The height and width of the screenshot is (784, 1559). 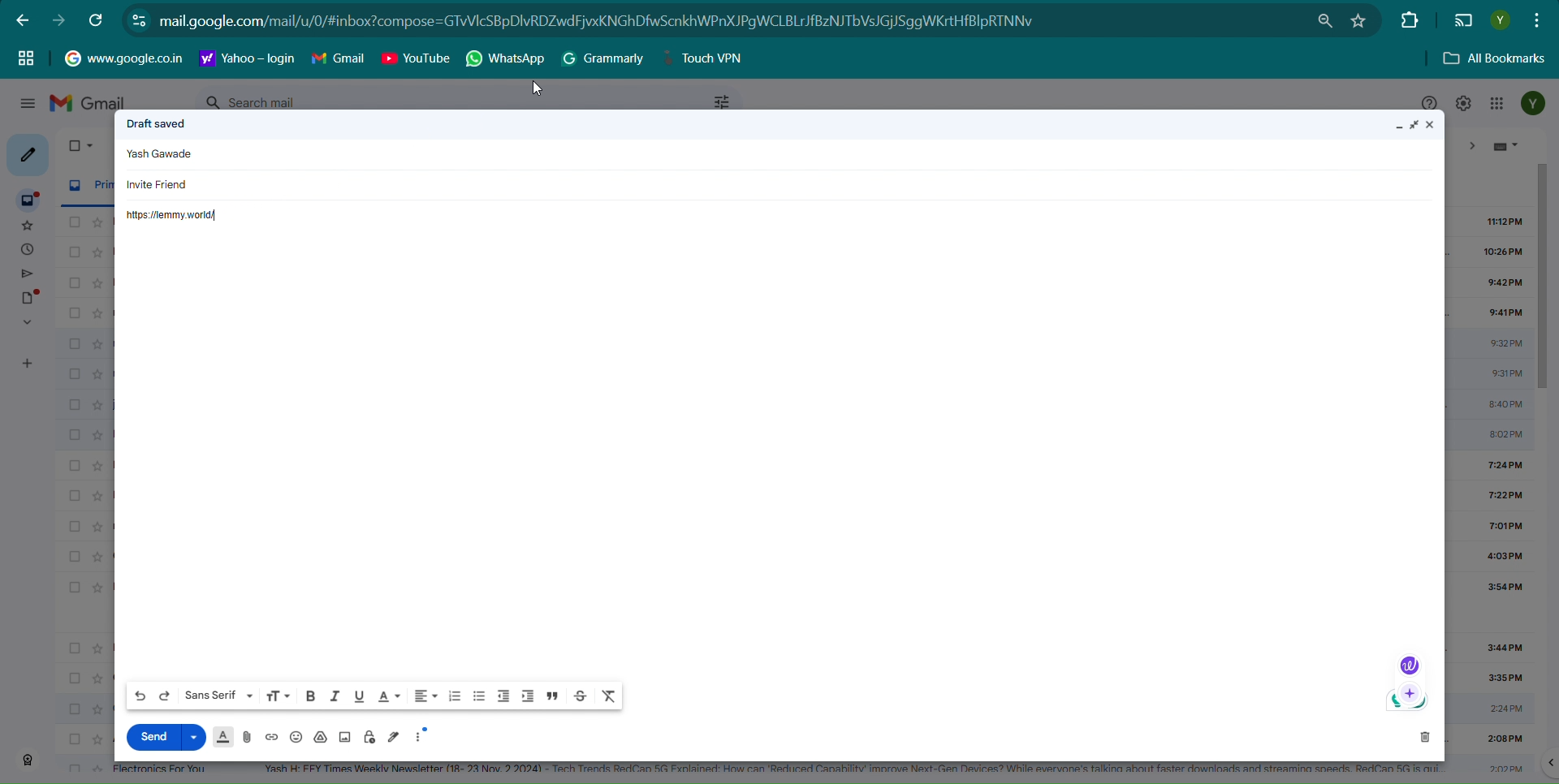 What do you see at coordinates (1407, 19) in the screenshot?
I see `Extensions` at bounding box center [1407, 19].